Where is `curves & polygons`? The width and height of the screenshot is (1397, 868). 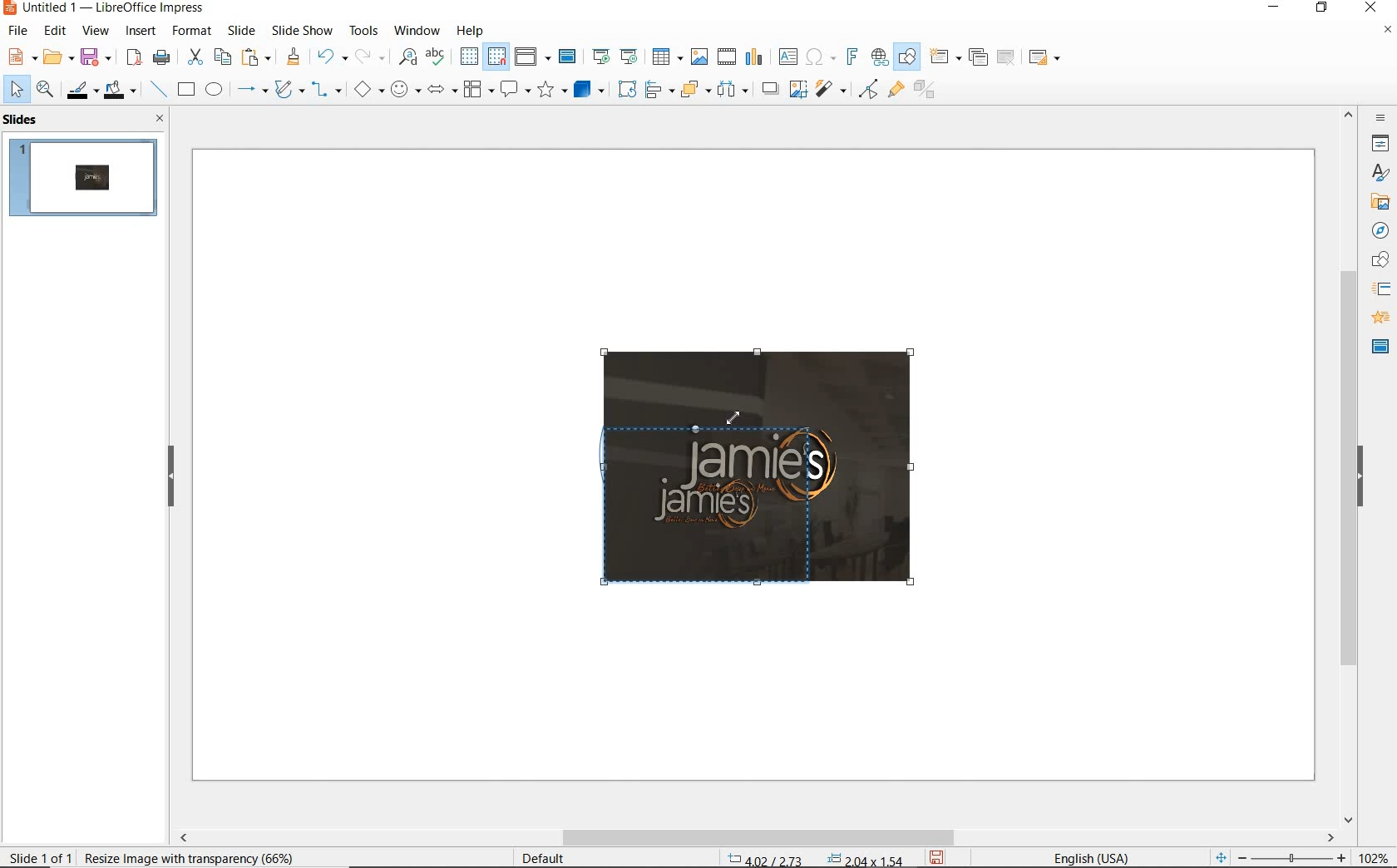 curves & polygons is located at coordinates (289, 90).